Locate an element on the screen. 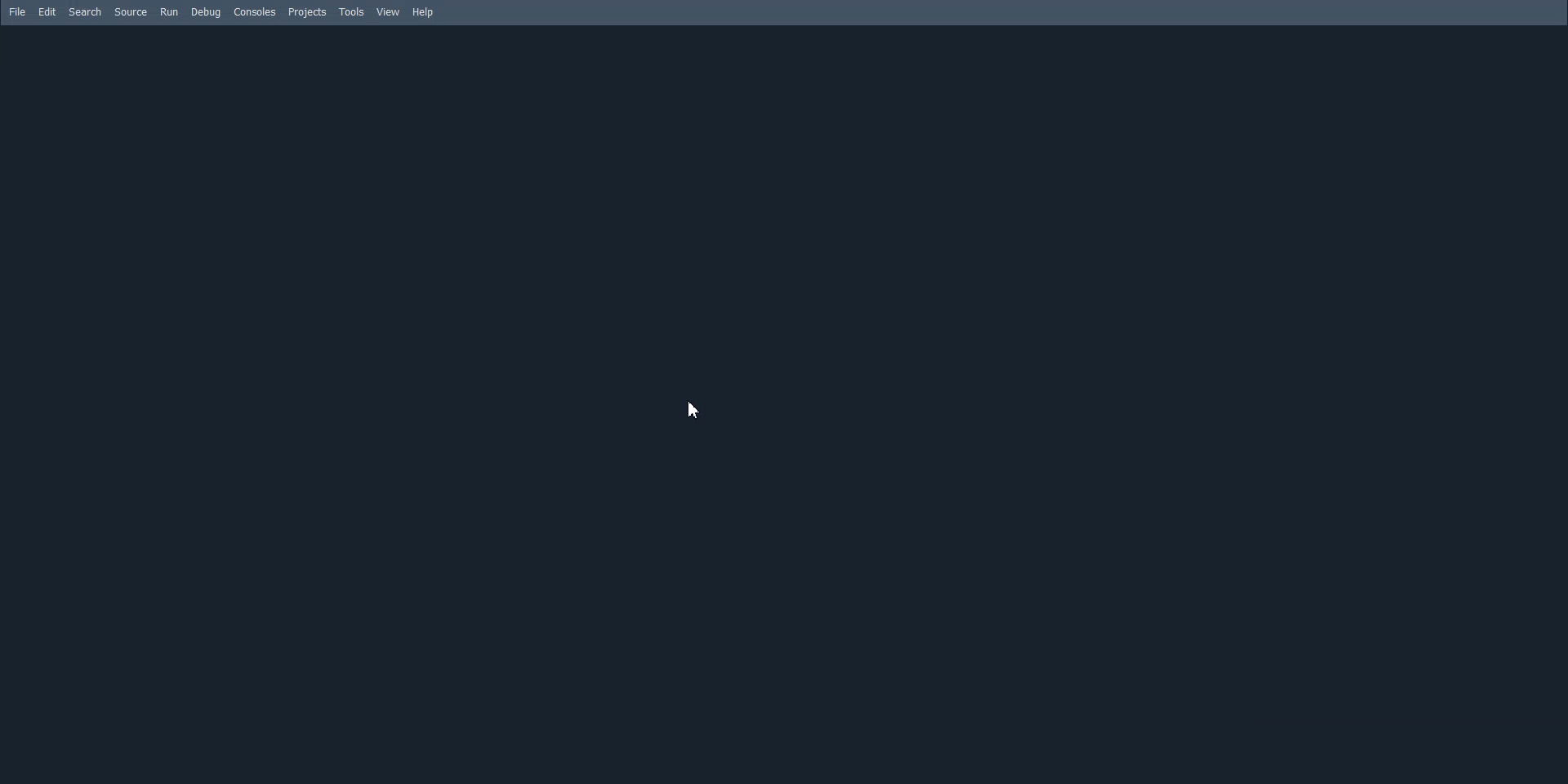 This screenshot has width=1568, height=784. Edit is located at coordinates (47, 11).